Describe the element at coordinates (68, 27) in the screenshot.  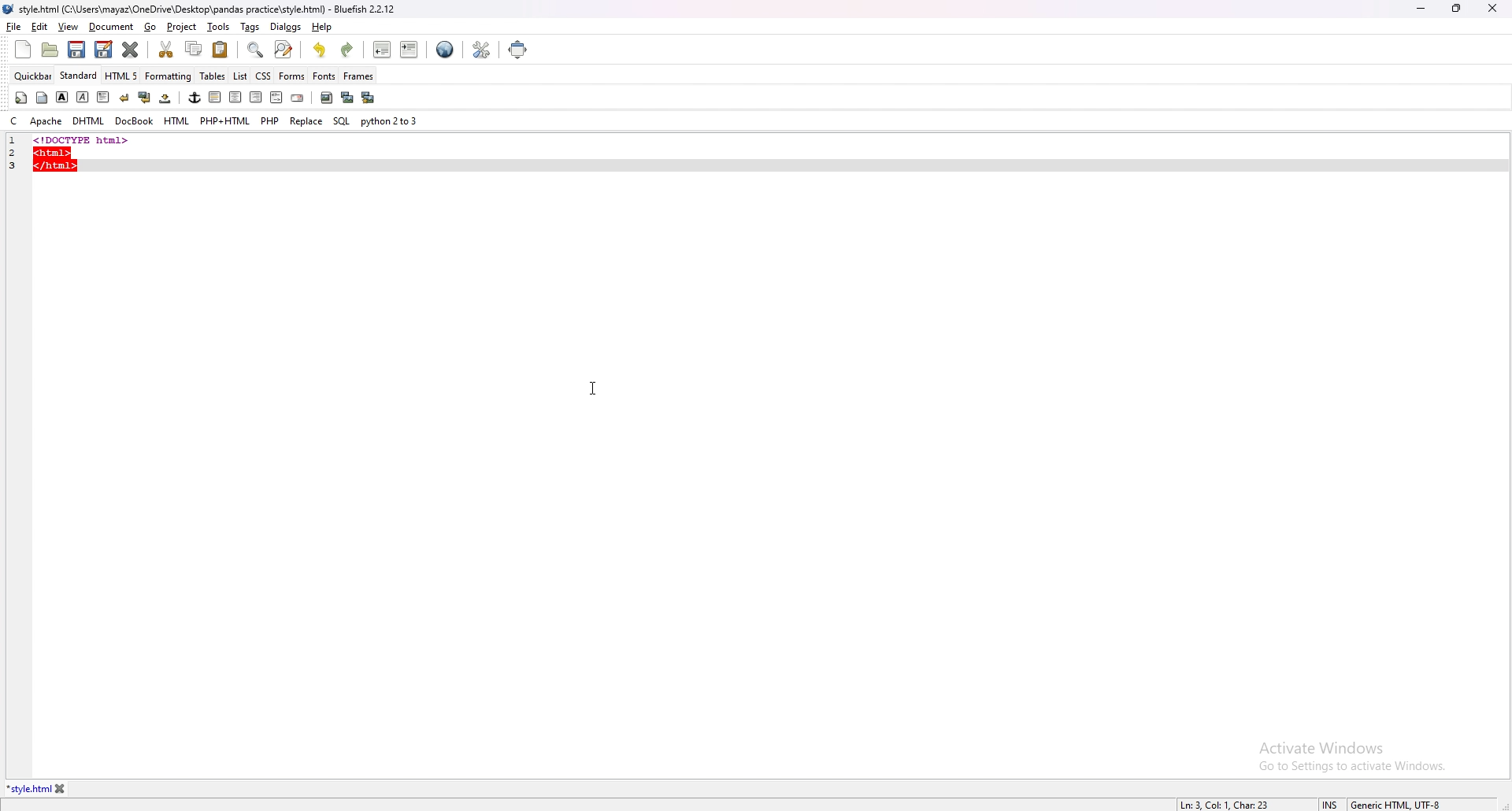
I see `view` at that location.